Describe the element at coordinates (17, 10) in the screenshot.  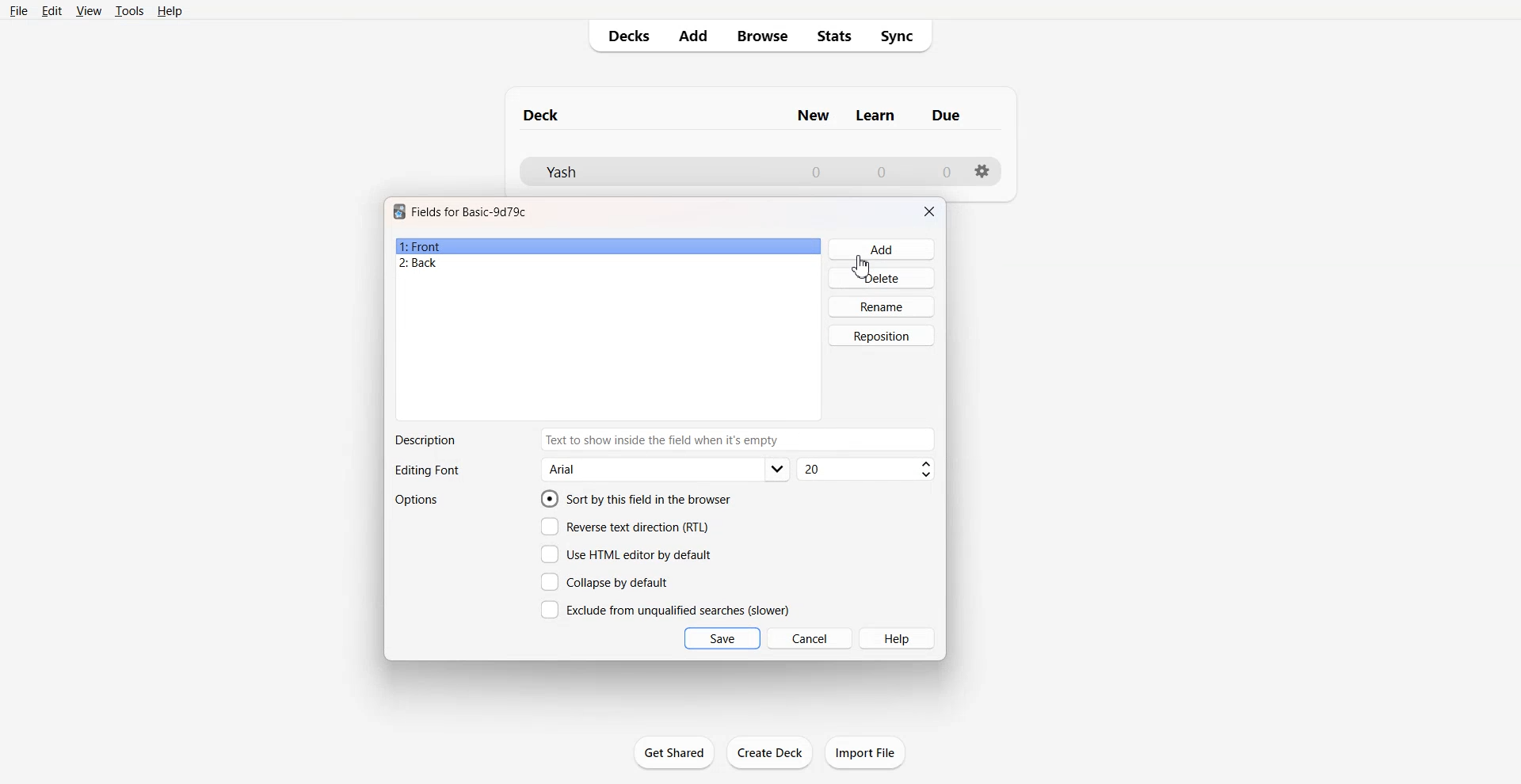
I see `File` at that location.